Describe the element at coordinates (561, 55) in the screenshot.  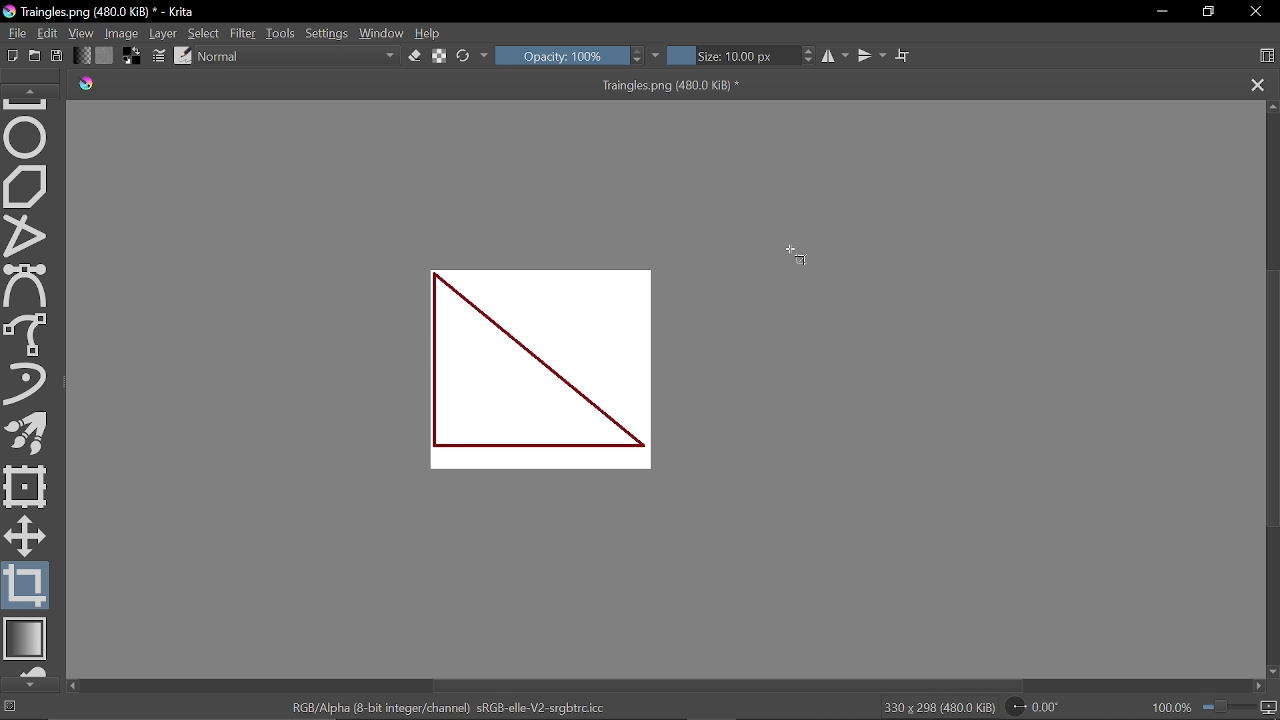
I see `Opacity: 100%` at that location.